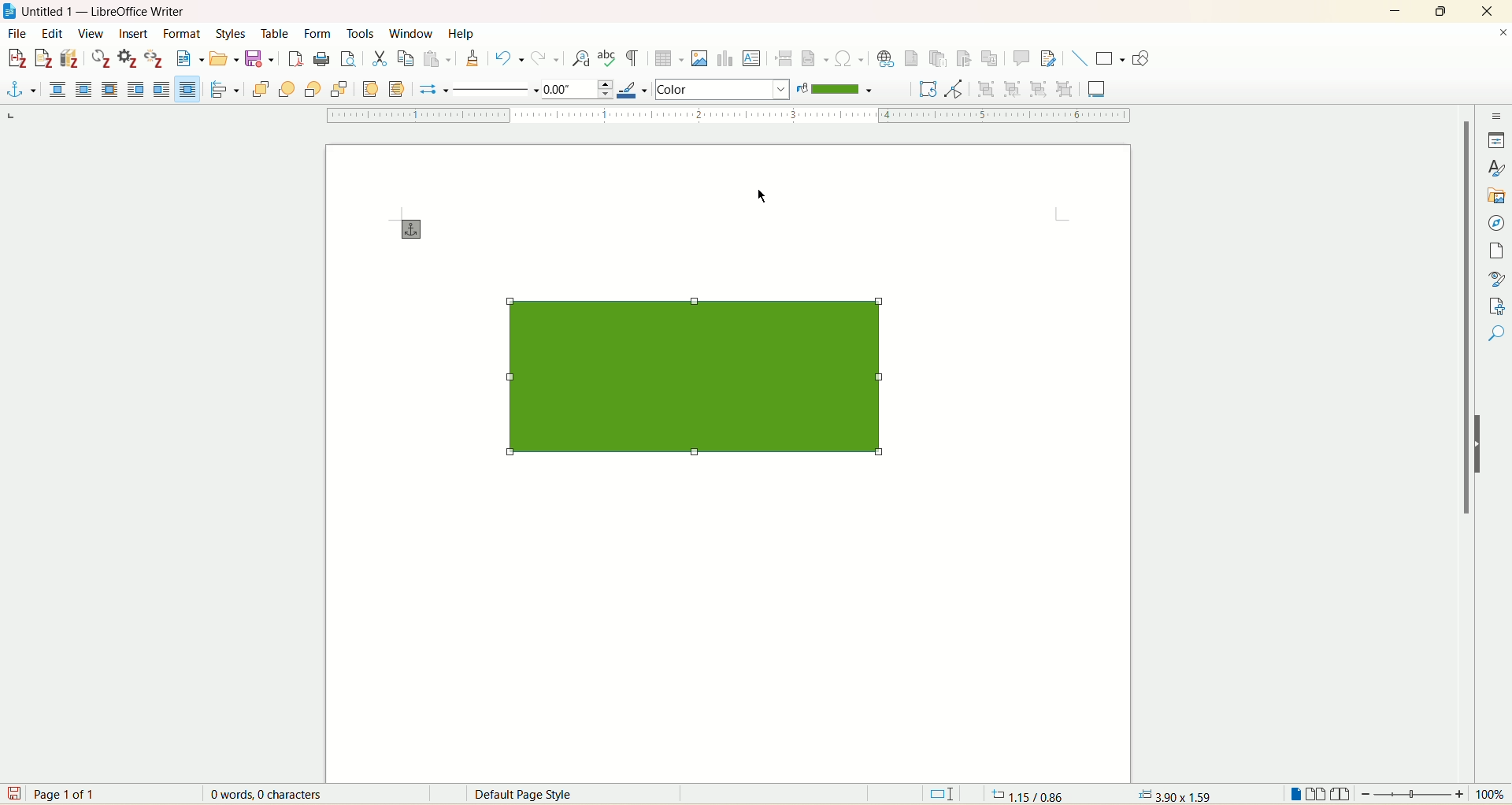 Image resolution: width=1512 pixels, height=805 pixels. I want to click on refresh, so click(101, 58).